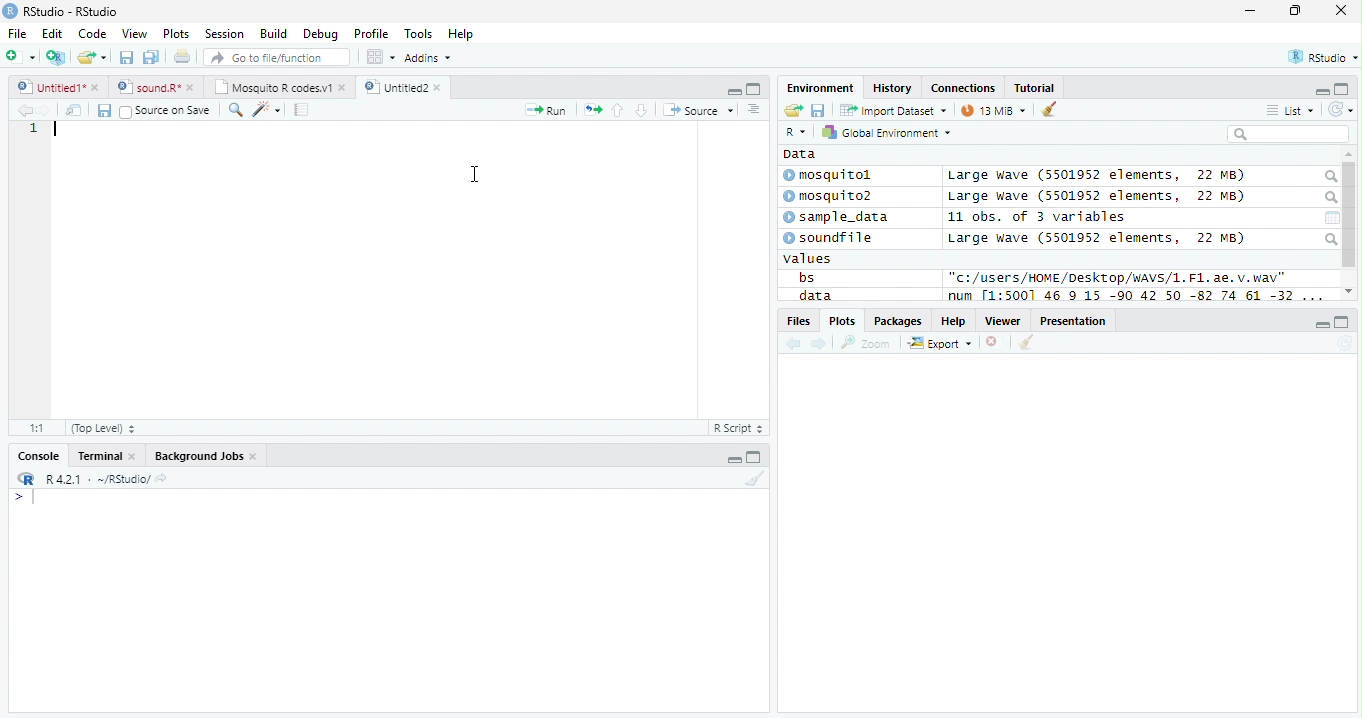 The width and height of the screenshot is (1362, 718). I want to click on Re-run the previous code, so click(592, 110).